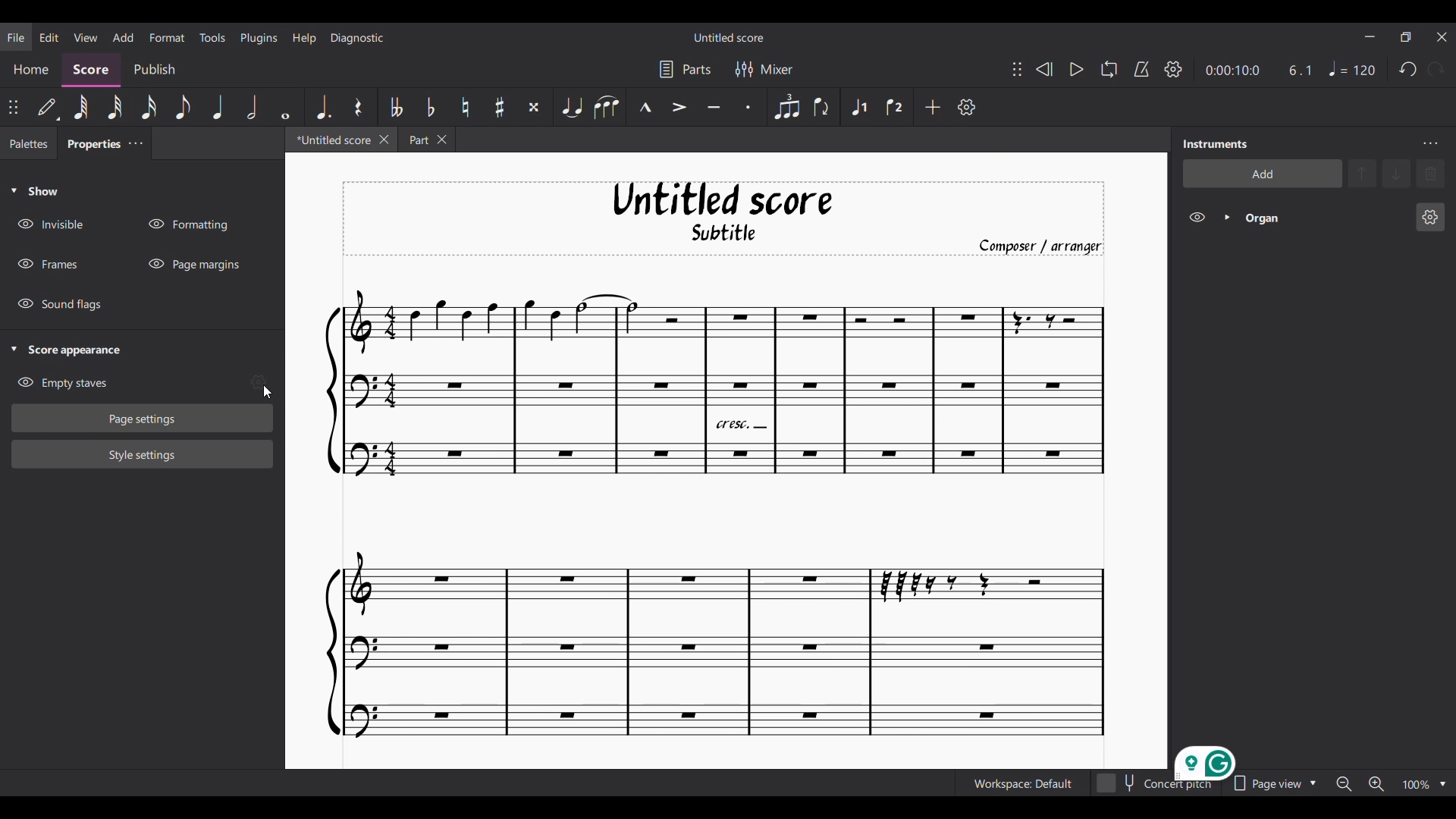 Image resolution: width=1456 pixels, height=819 pixels. Describe the element at coordinates (259, 38) in the screenshot. I see `Plugins menu` at that location.